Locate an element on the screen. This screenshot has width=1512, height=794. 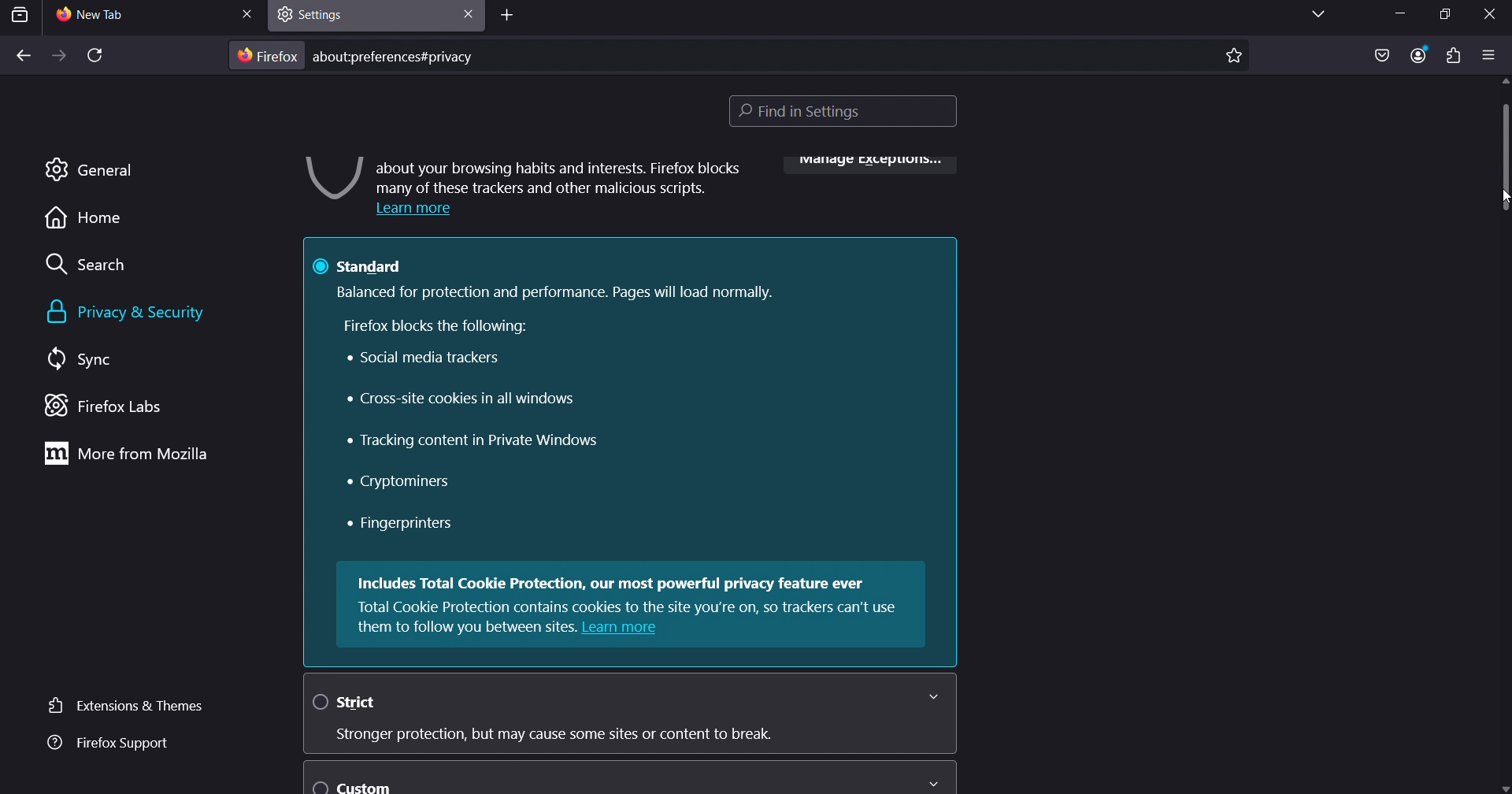
account is located at coordinates (1418, 54).